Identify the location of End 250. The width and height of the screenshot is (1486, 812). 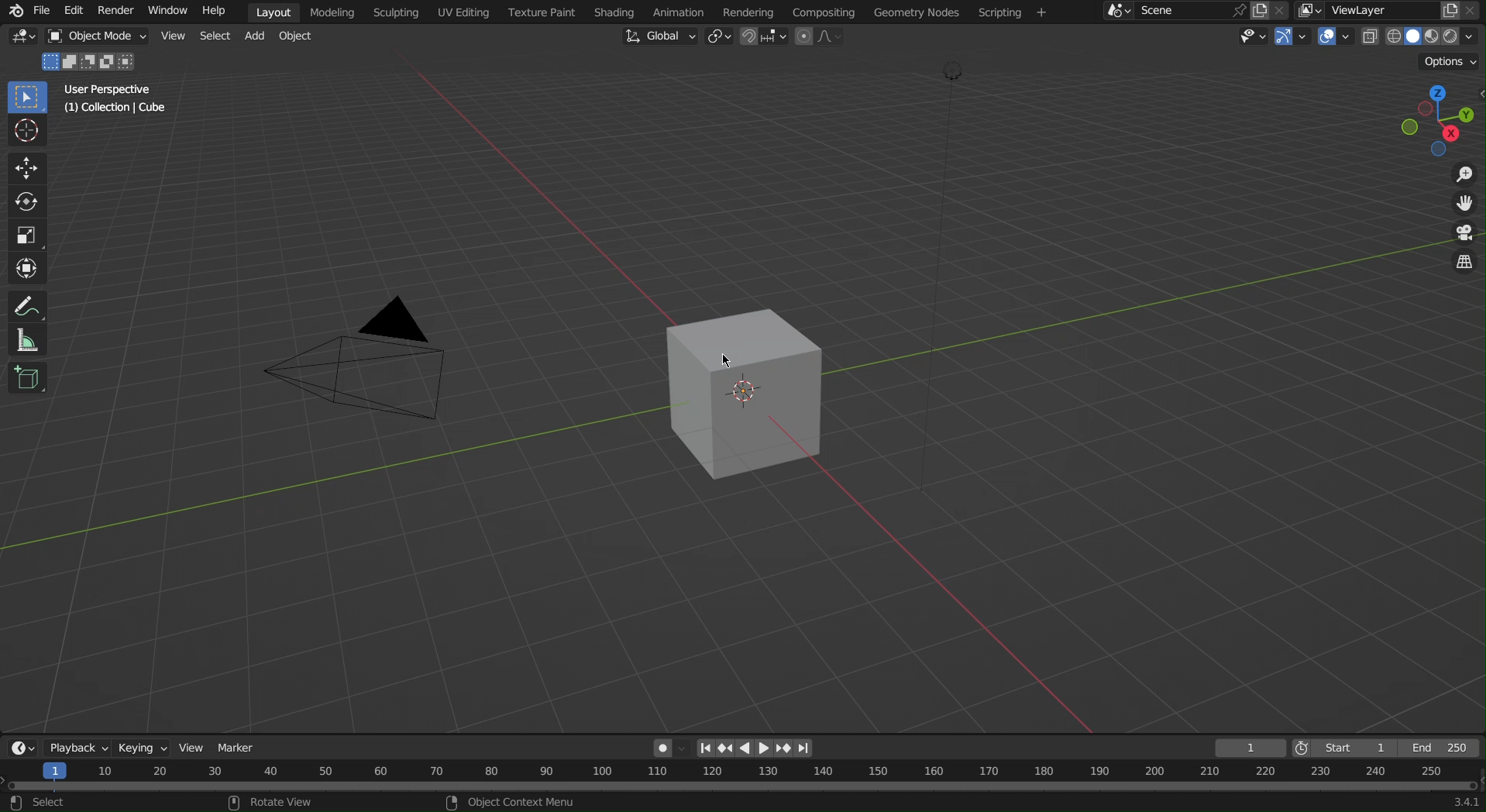
(1443, 746).